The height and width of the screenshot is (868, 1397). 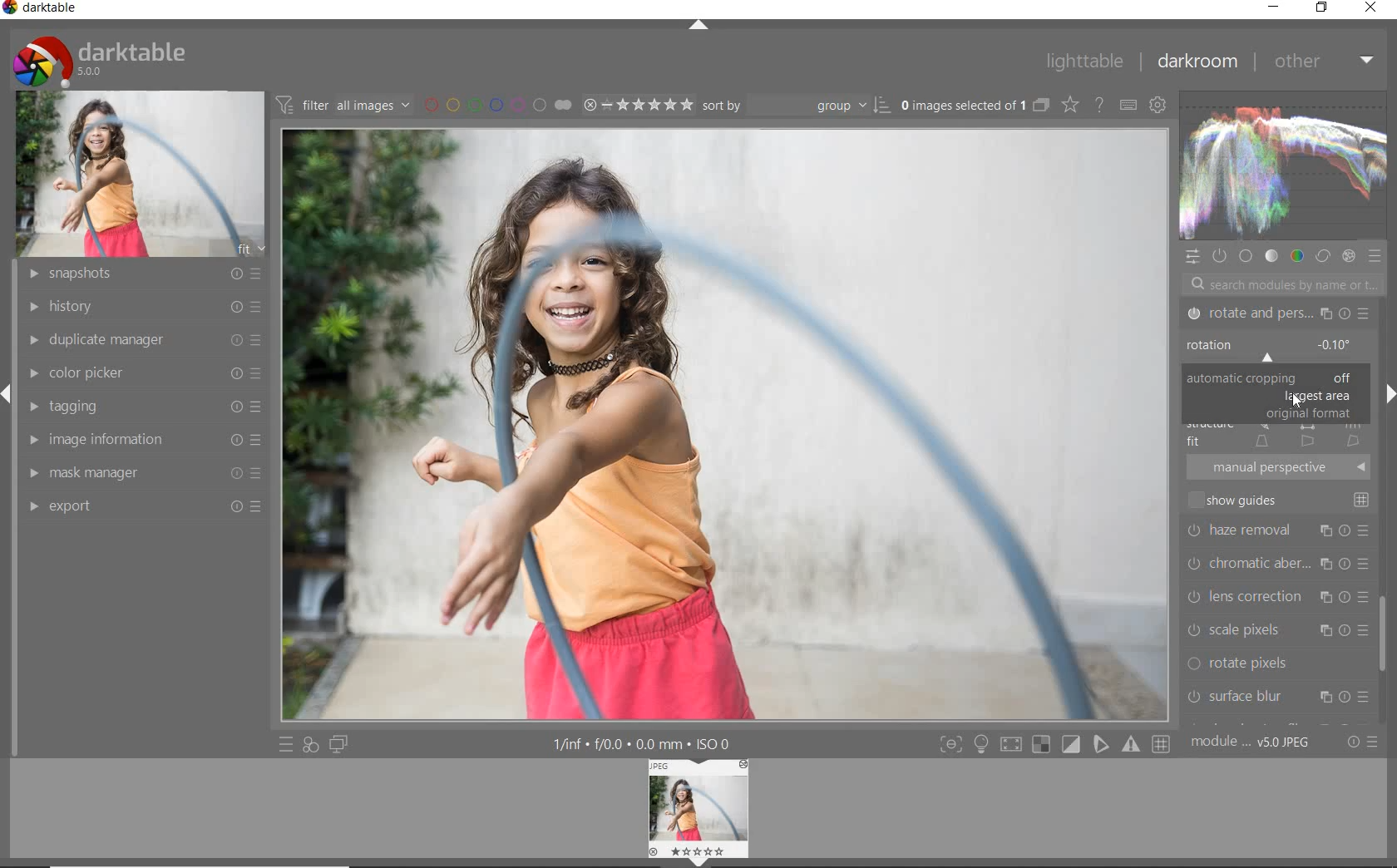 I want to click on preset , so click(x=1375, y=258).